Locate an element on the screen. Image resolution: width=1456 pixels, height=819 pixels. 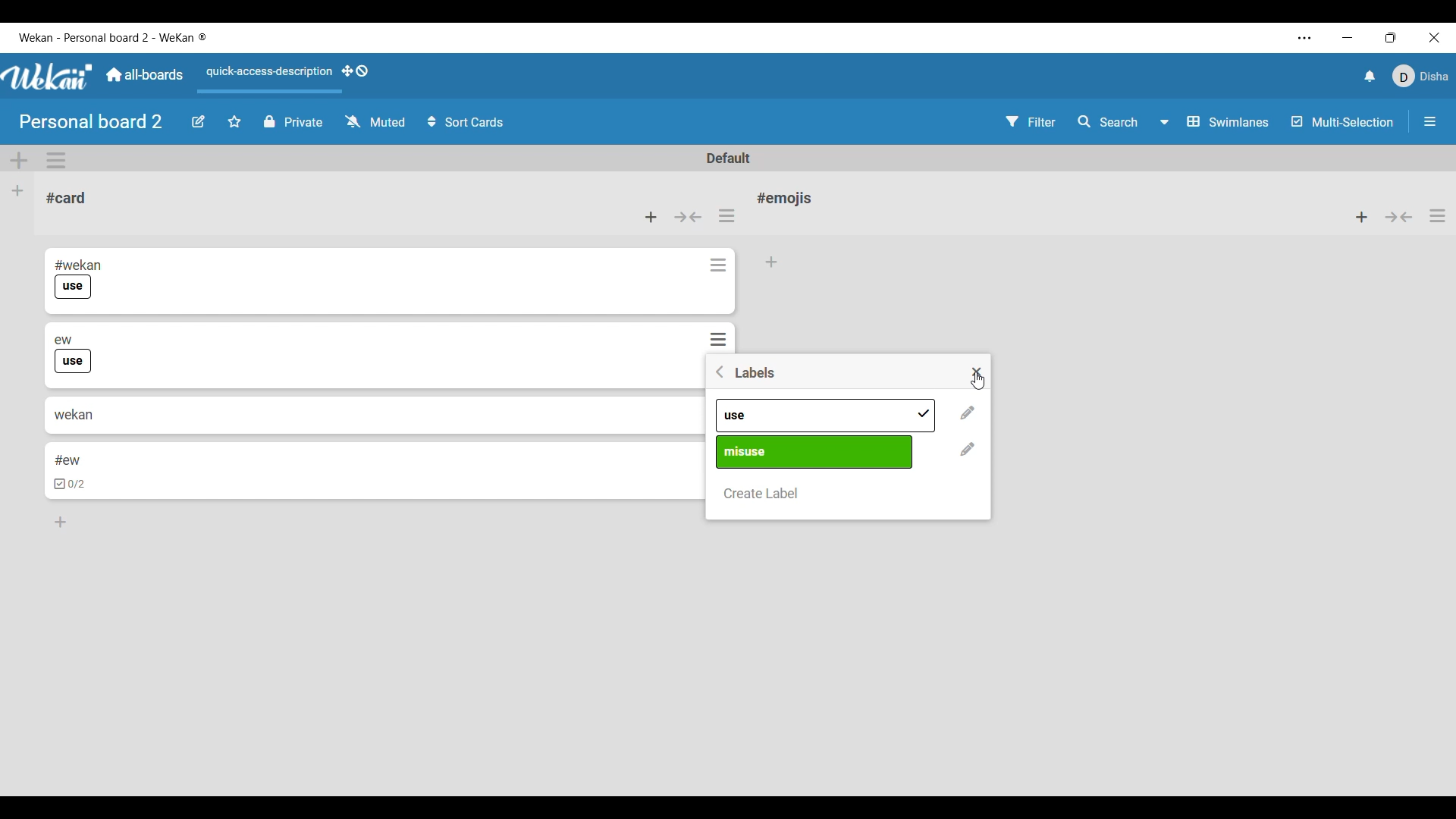
Add card to bottom of list is located at coordinates (773, 262).